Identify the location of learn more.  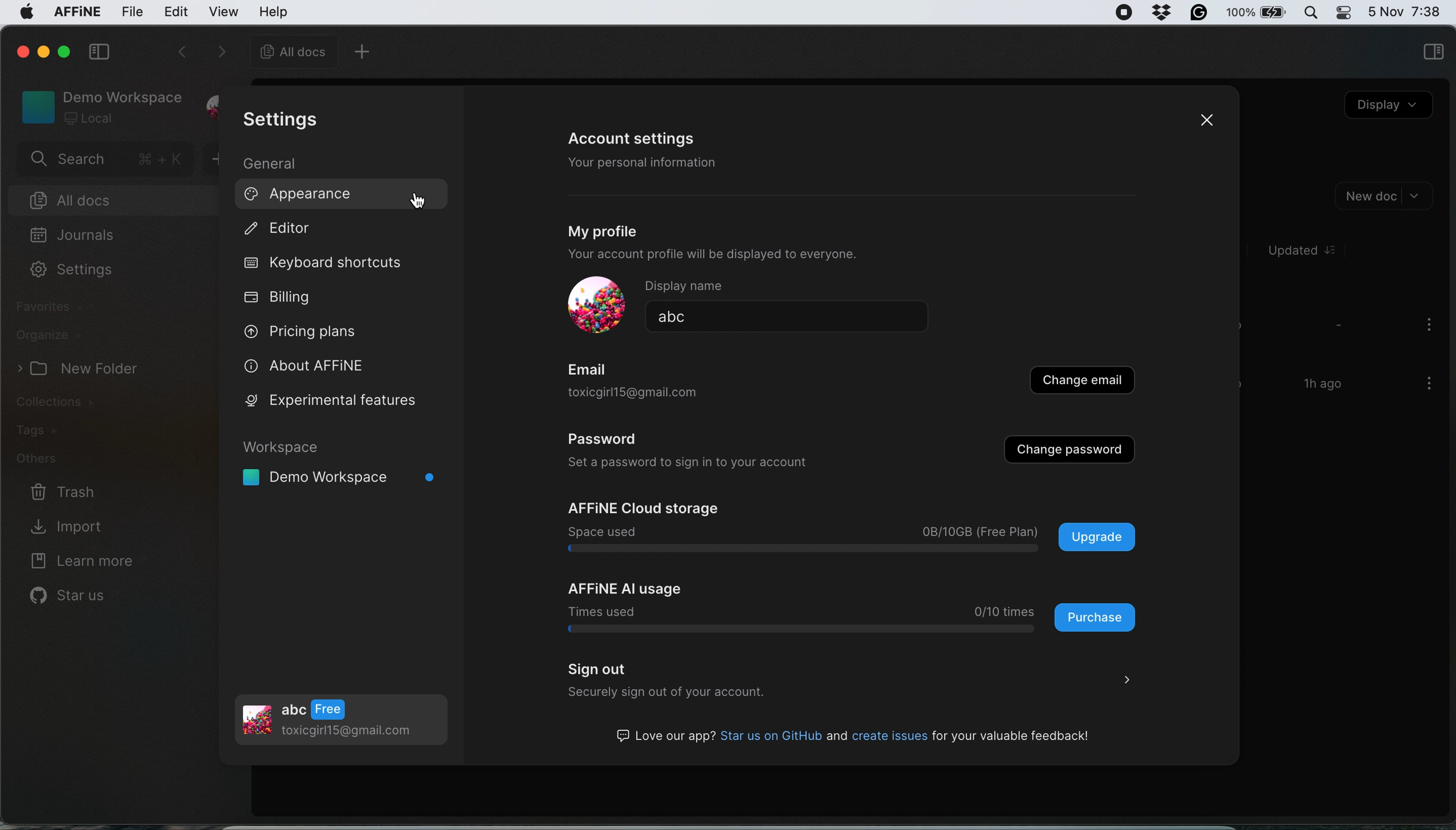
(86, 563).